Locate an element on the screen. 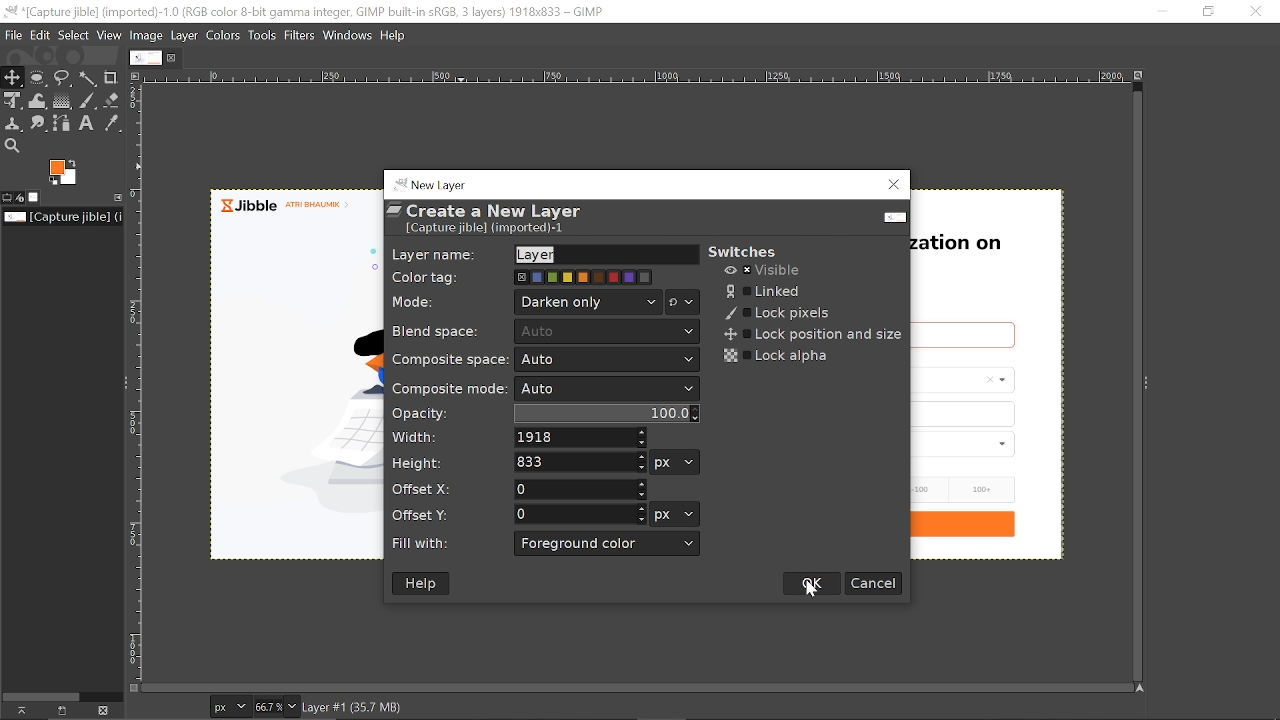  Ok is located at coordinates (812, 583).